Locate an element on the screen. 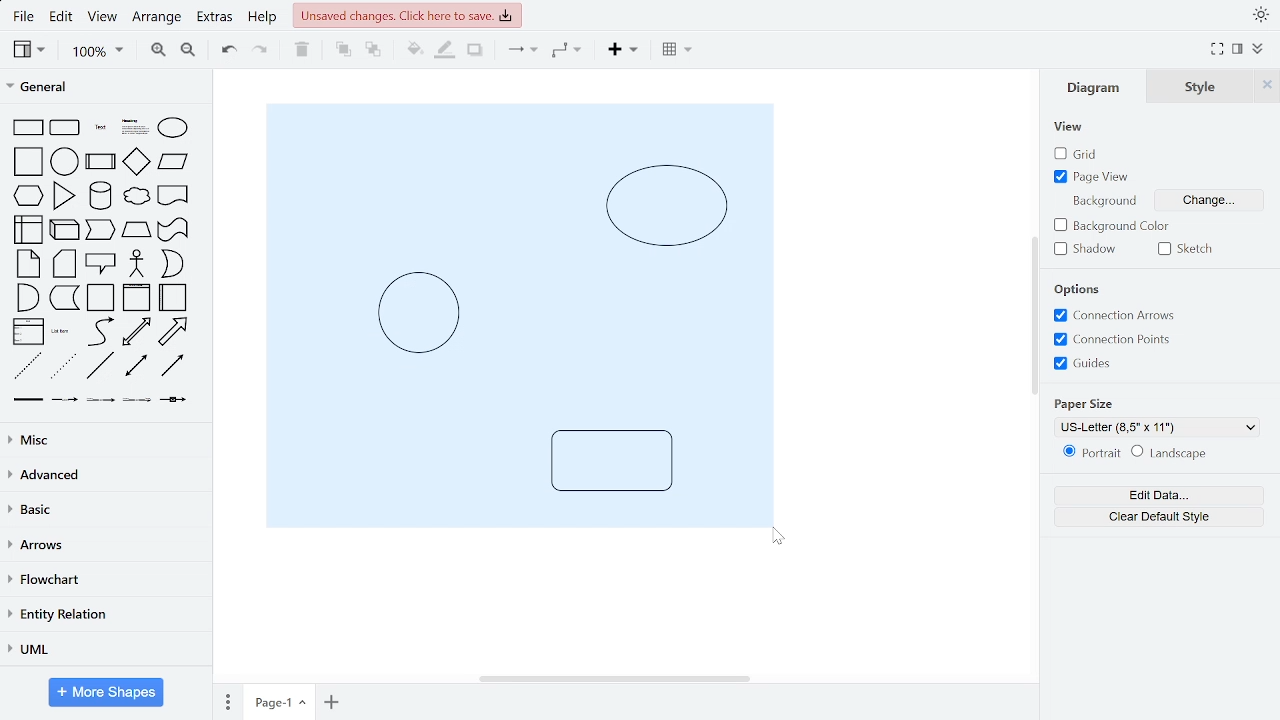 This screenshot has width=1280, height=720. connector is located at coordinates (520, 53).